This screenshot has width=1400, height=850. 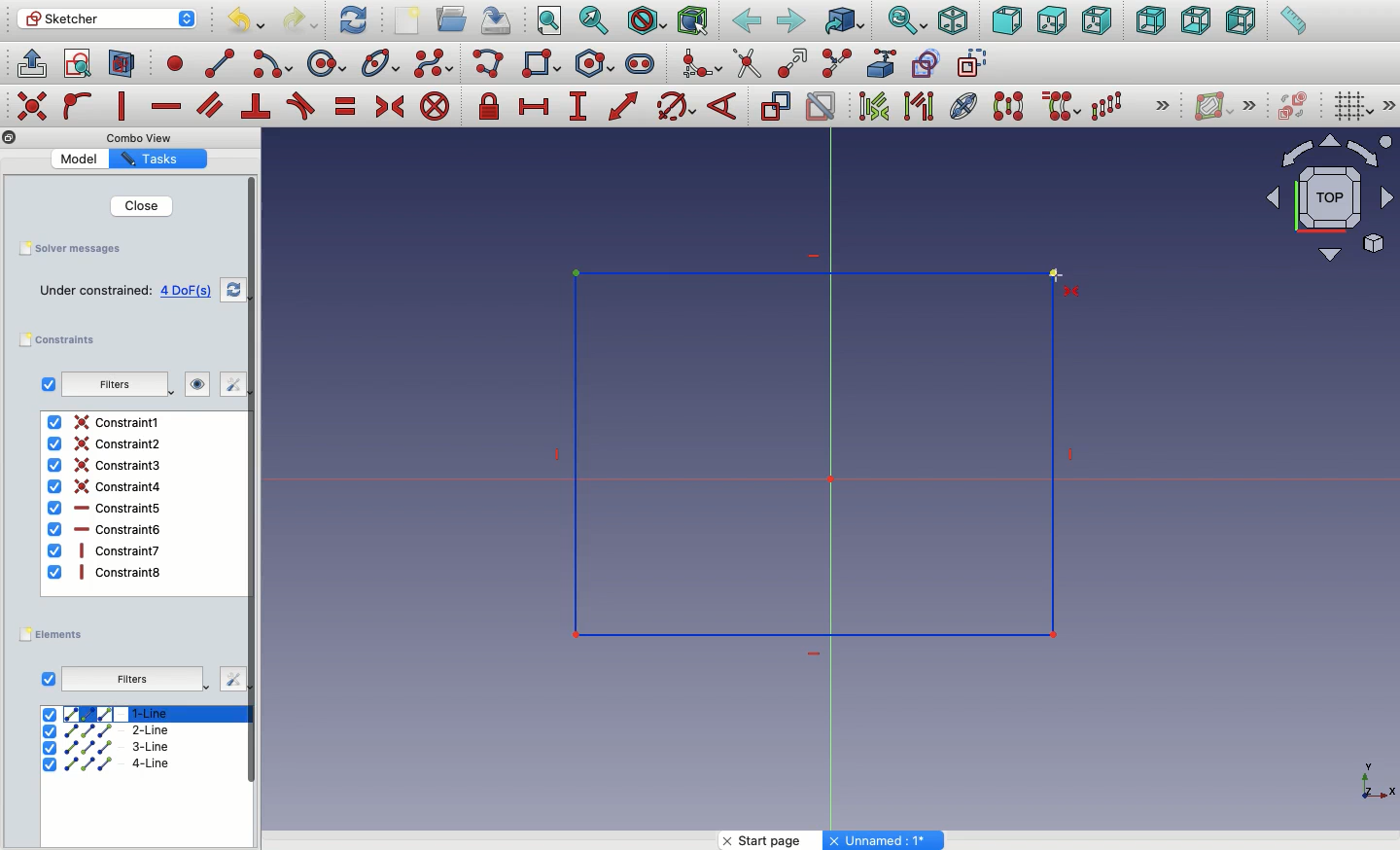 What do you see at coordinates (700, 65) in the screenshot?
I see `Create fillet` at bounding box center [700, 65].